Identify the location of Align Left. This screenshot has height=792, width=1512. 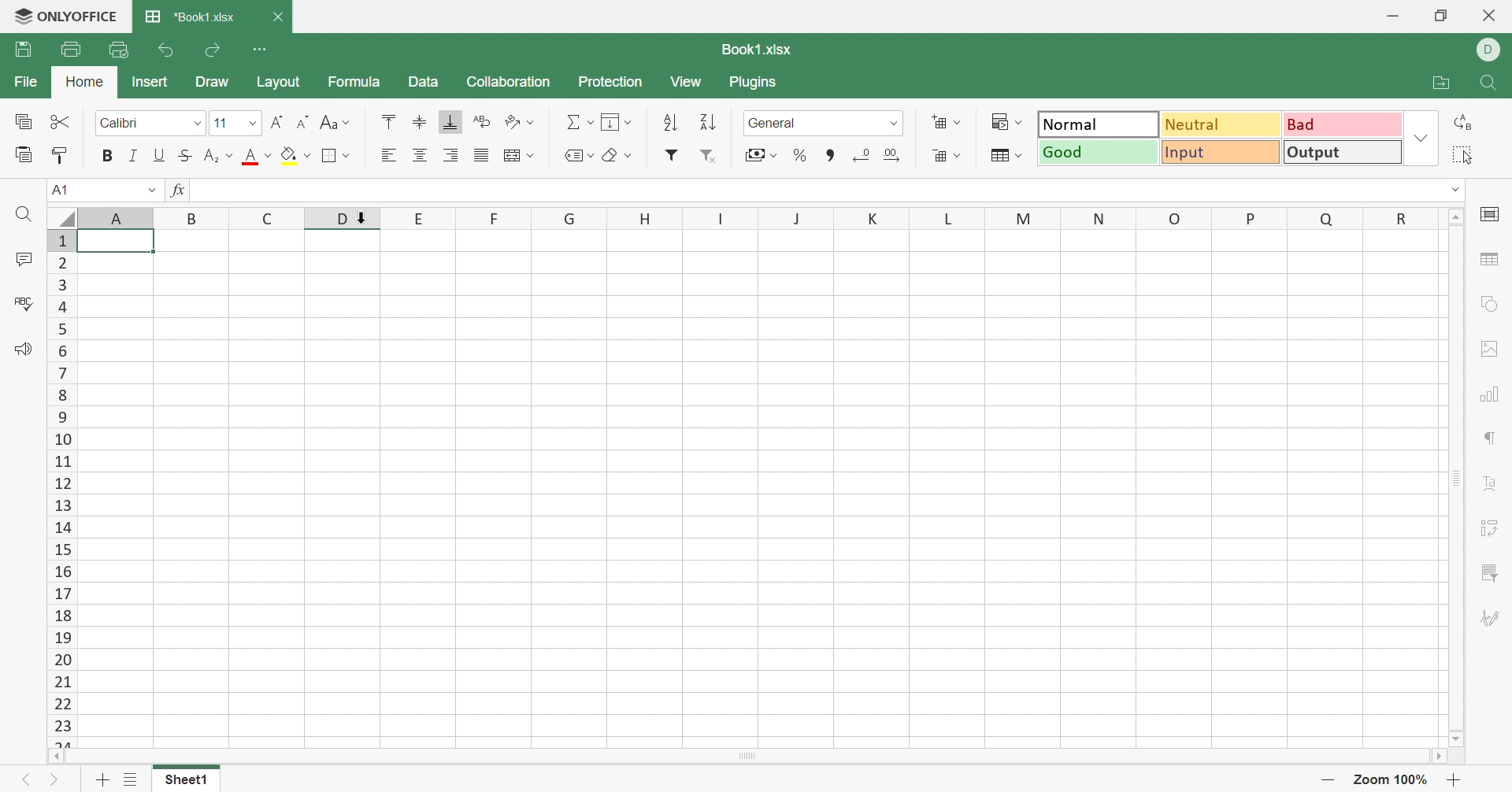
(387, 155).